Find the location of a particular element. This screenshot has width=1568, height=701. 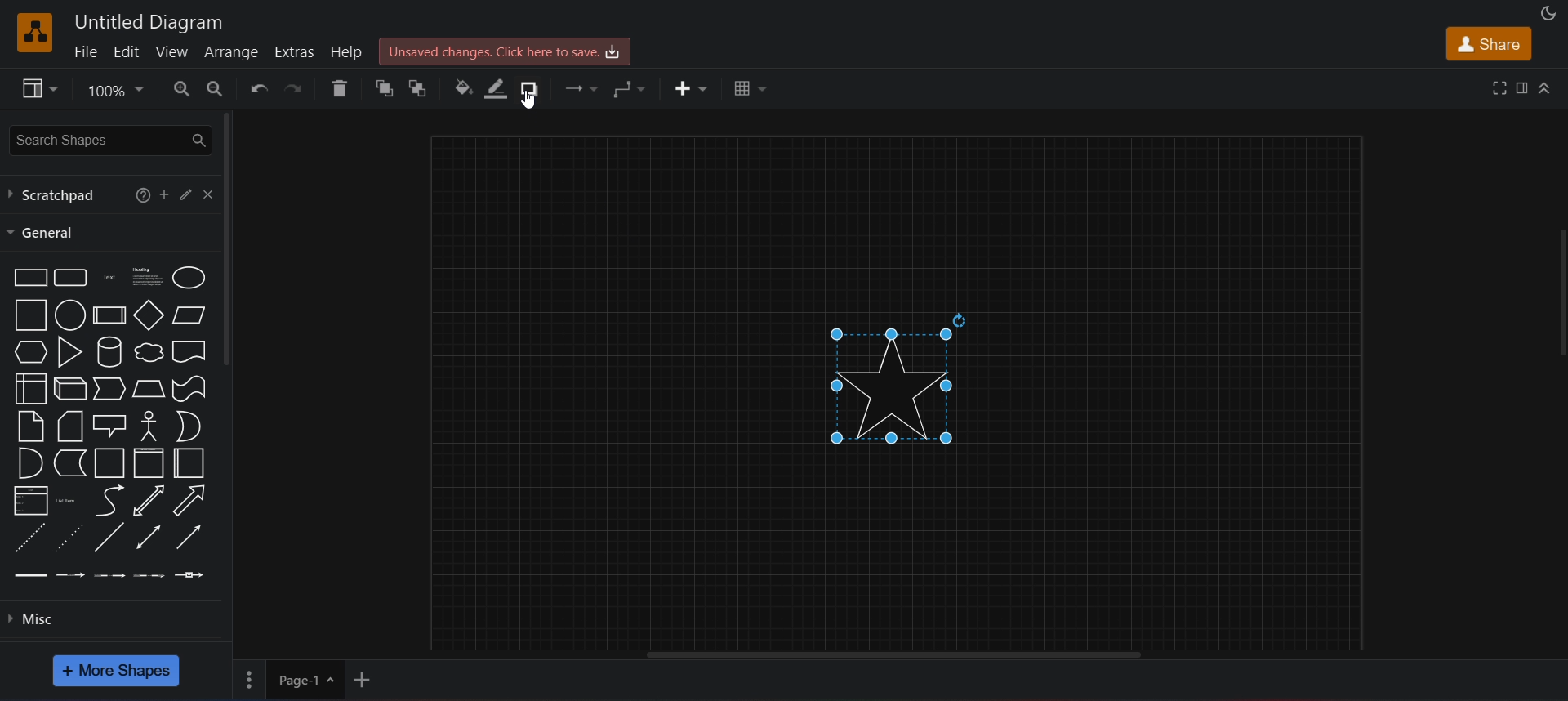

view is located at coordinates (177, 51).